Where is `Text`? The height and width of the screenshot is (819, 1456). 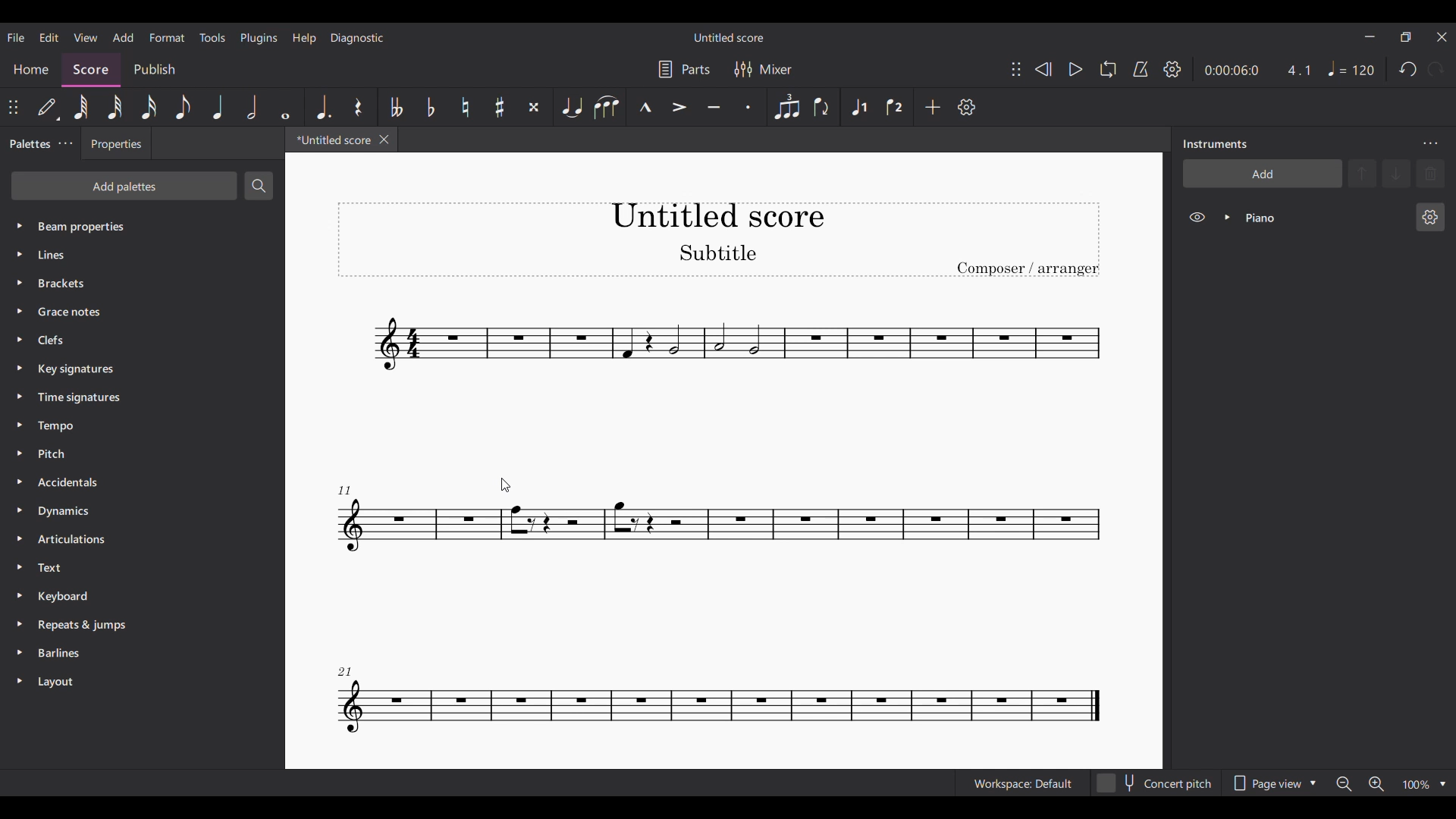 Text is located at coordinates (129, 567).